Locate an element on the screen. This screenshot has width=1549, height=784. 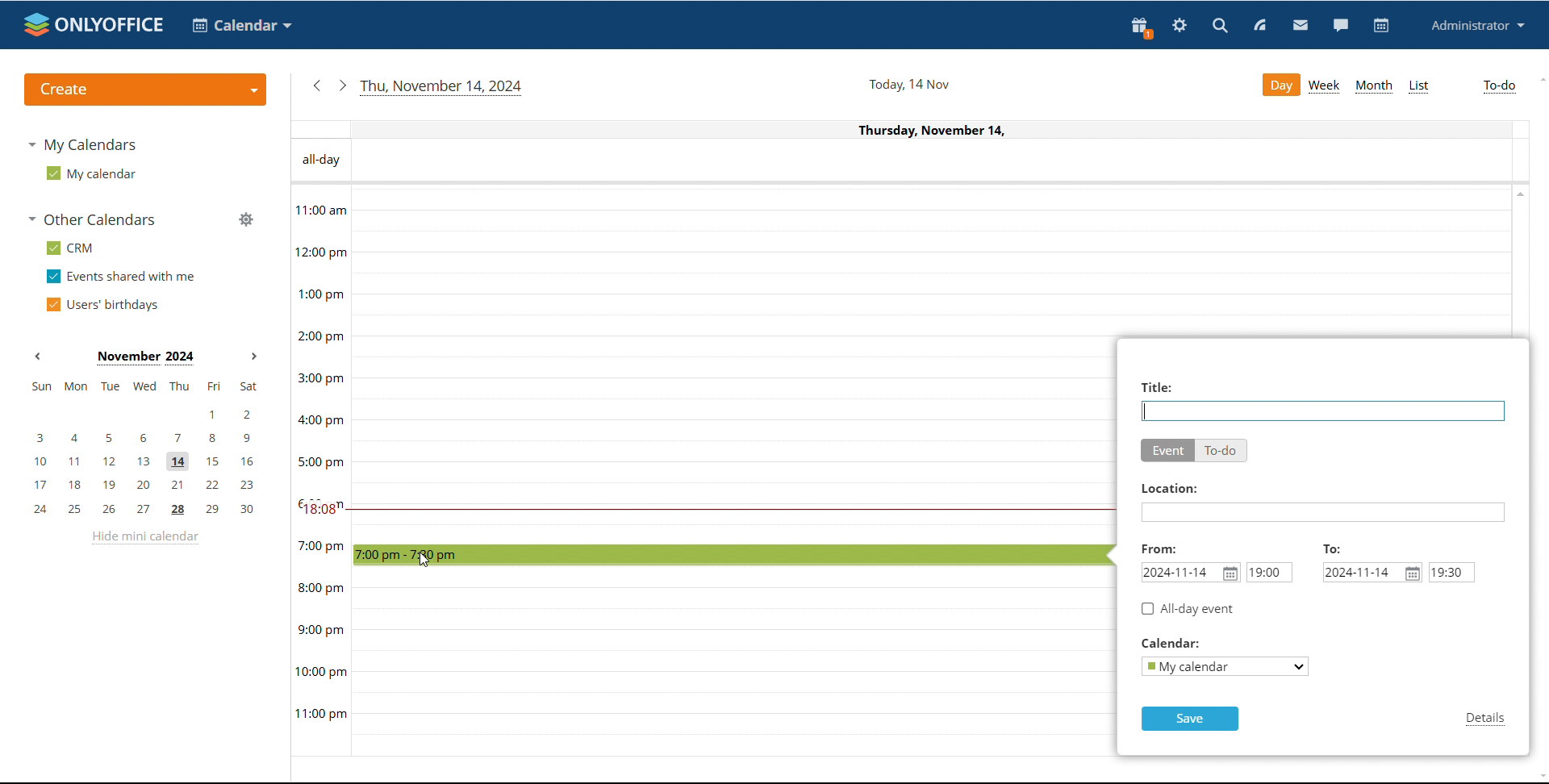
previous month is located at coordinates (39, 358).